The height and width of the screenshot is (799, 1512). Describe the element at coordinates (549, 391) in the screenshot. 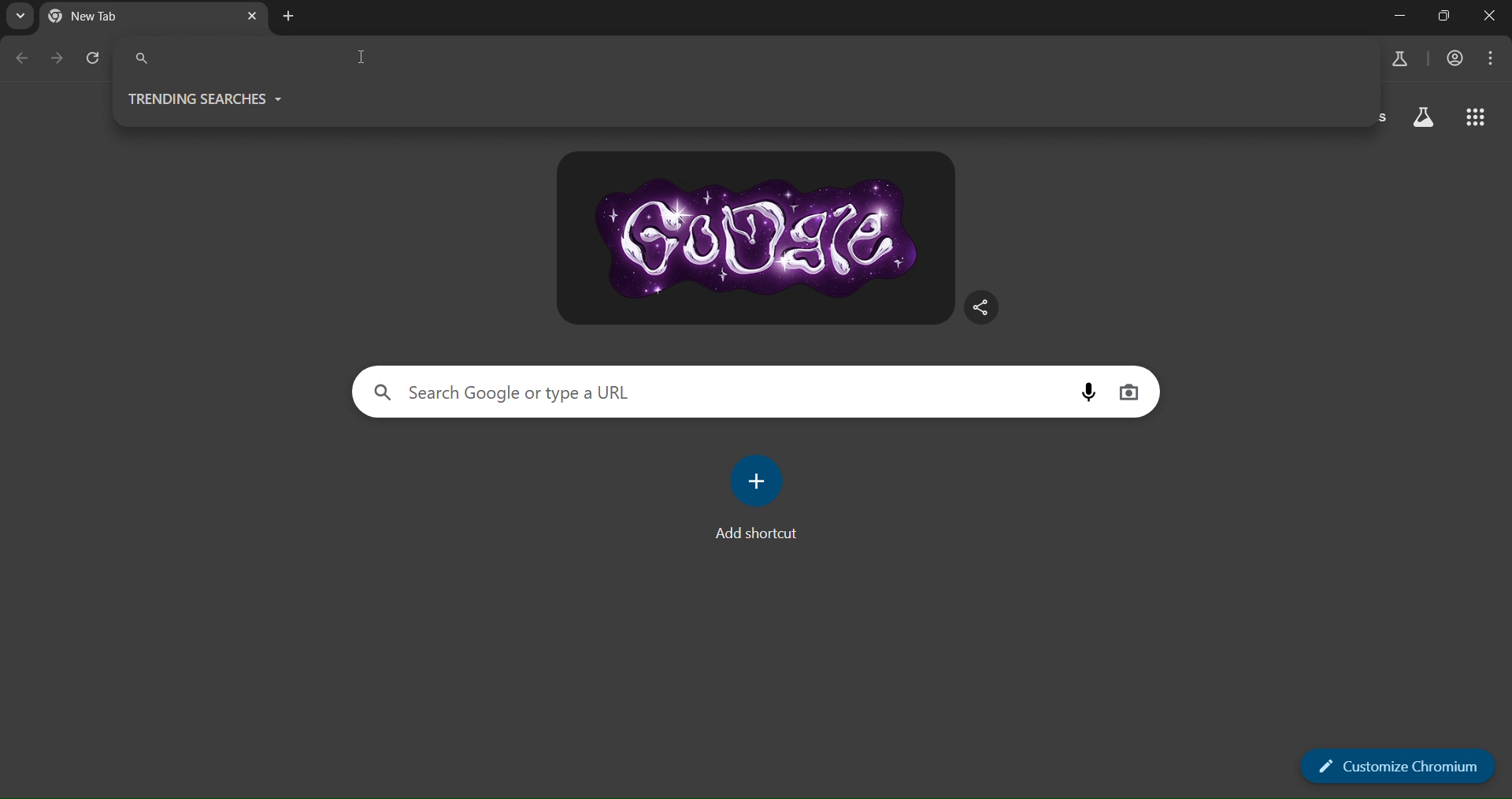

I see `search Google or type a url` at that location.